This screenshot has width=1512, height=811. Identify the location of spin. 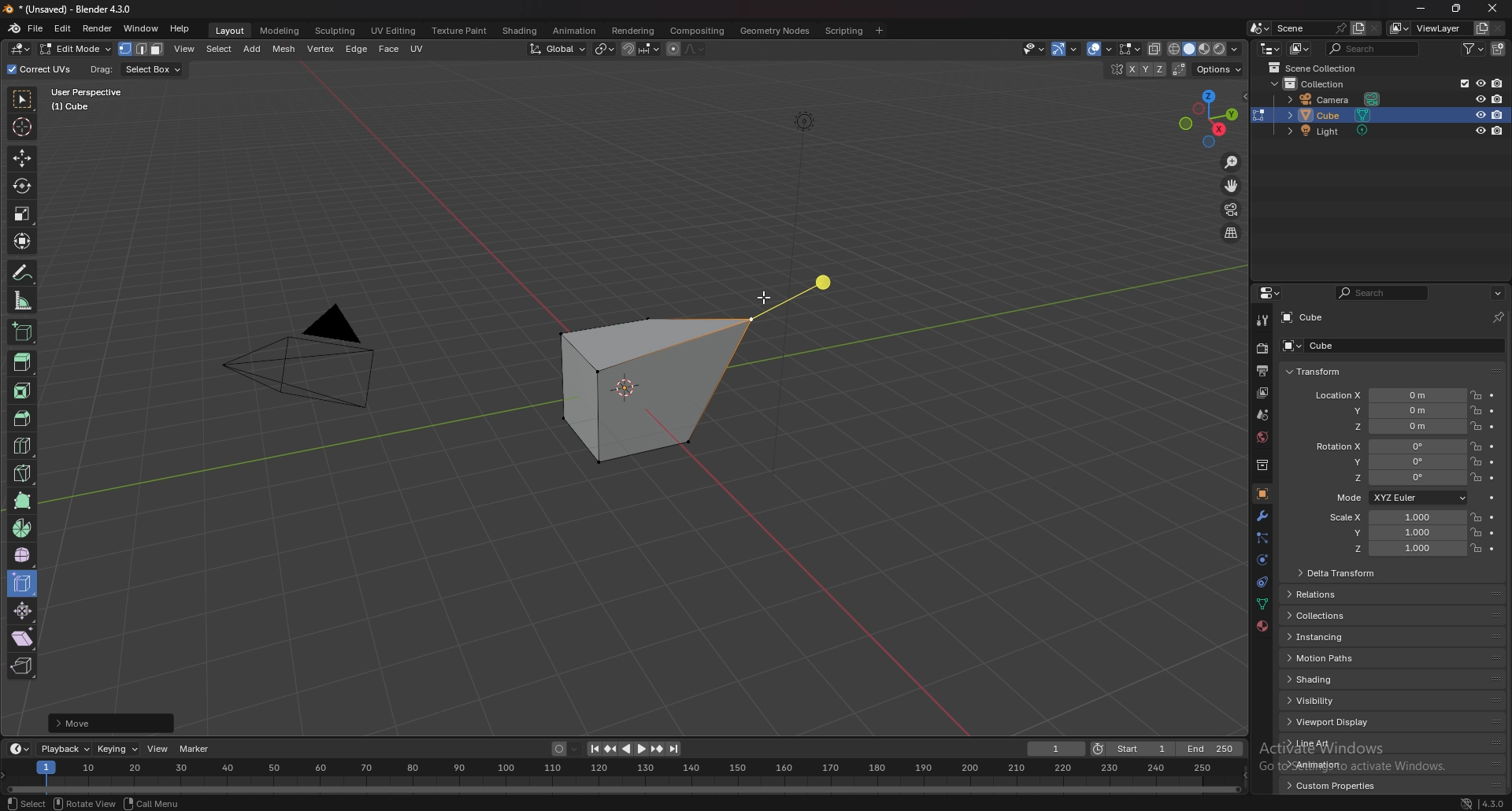
(22, 529).